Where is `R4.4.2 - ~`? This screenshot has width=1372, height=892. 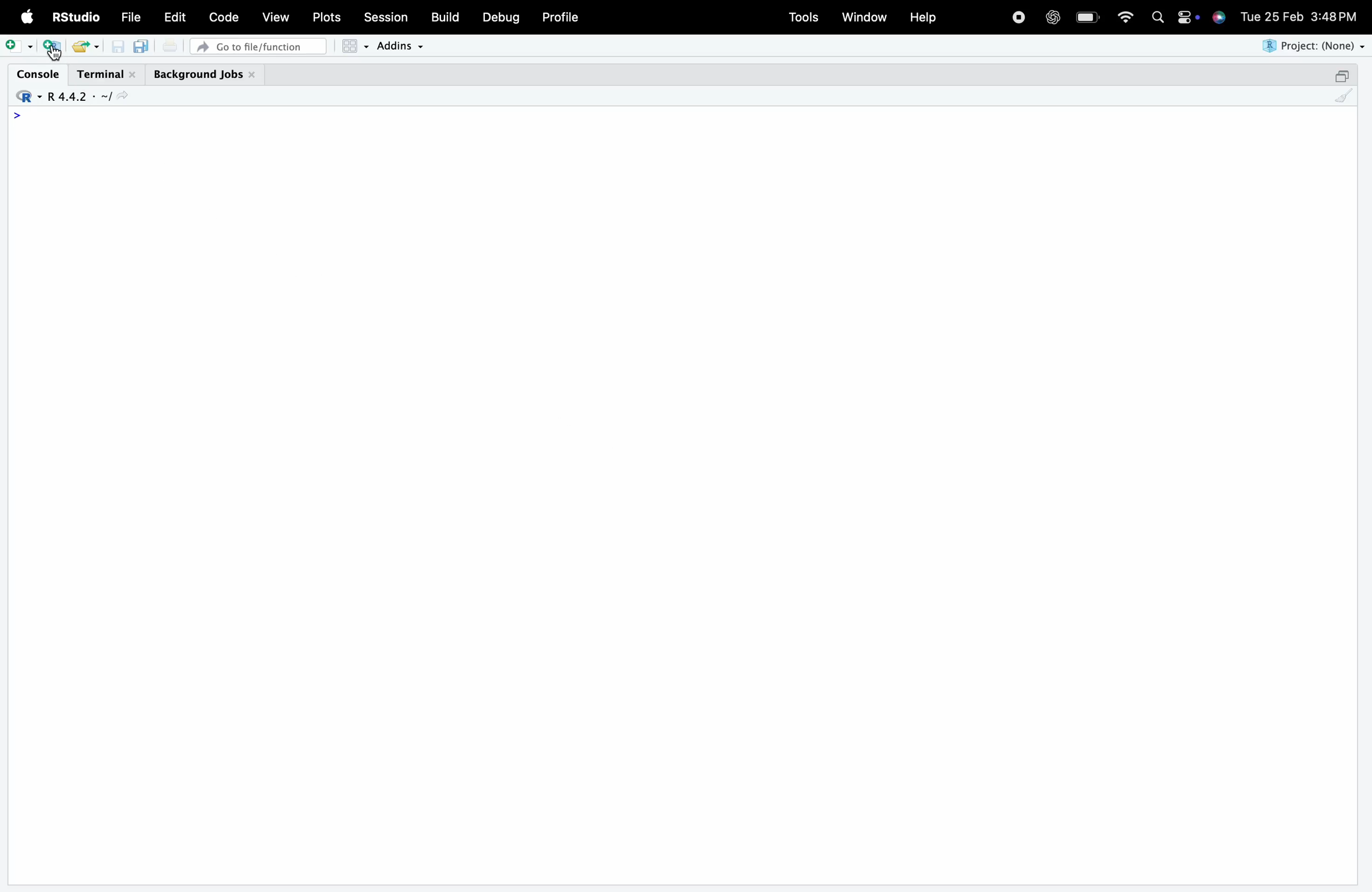
R4.4.2 - ~ is located at coordinates (77, 97).